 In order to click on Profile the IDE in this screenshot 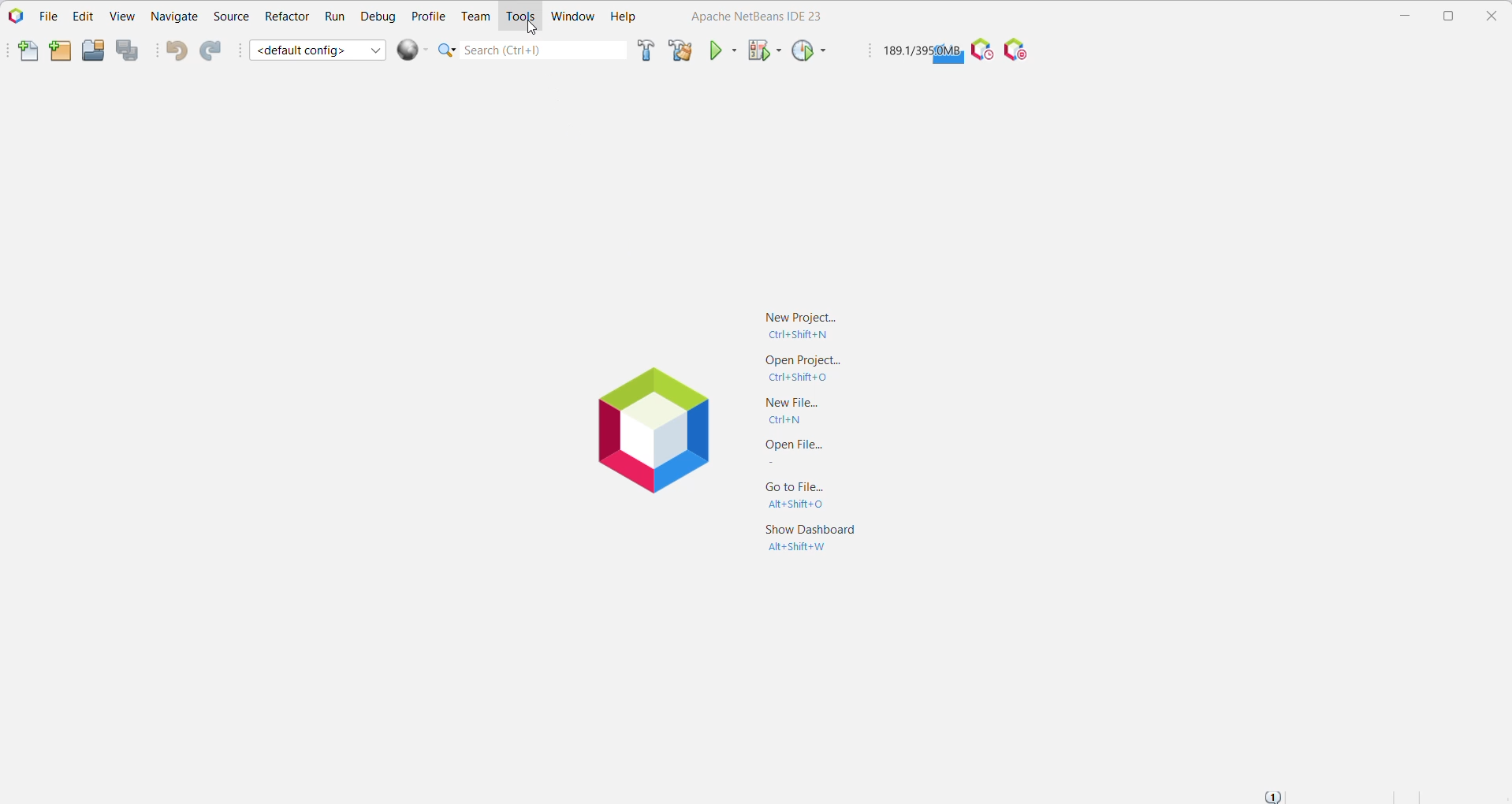, I will do `click(981, 50)`.